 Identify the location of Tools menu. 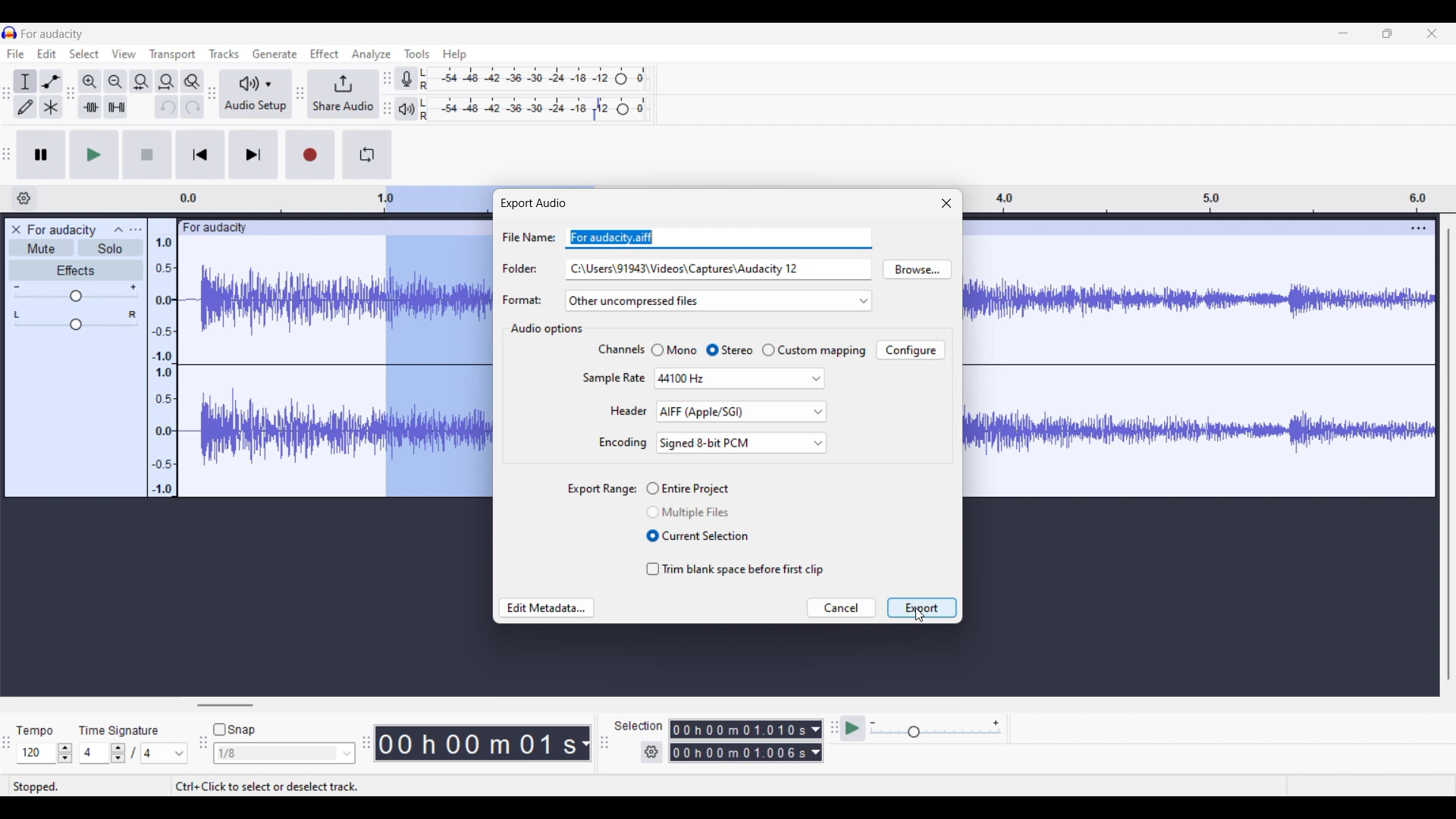
(417, 54).